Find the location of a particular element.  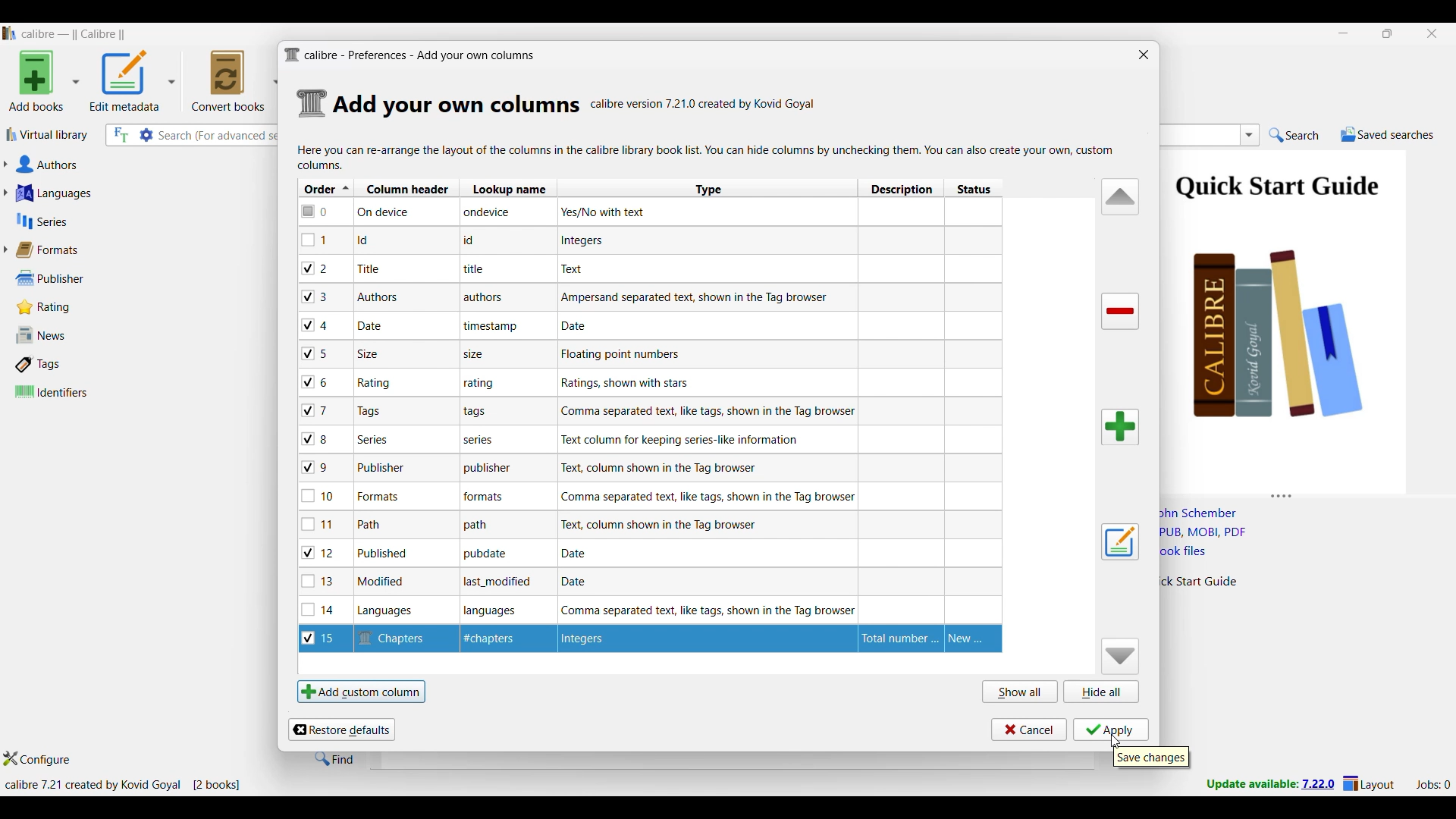

Search is located at coordinates (1294, 136).